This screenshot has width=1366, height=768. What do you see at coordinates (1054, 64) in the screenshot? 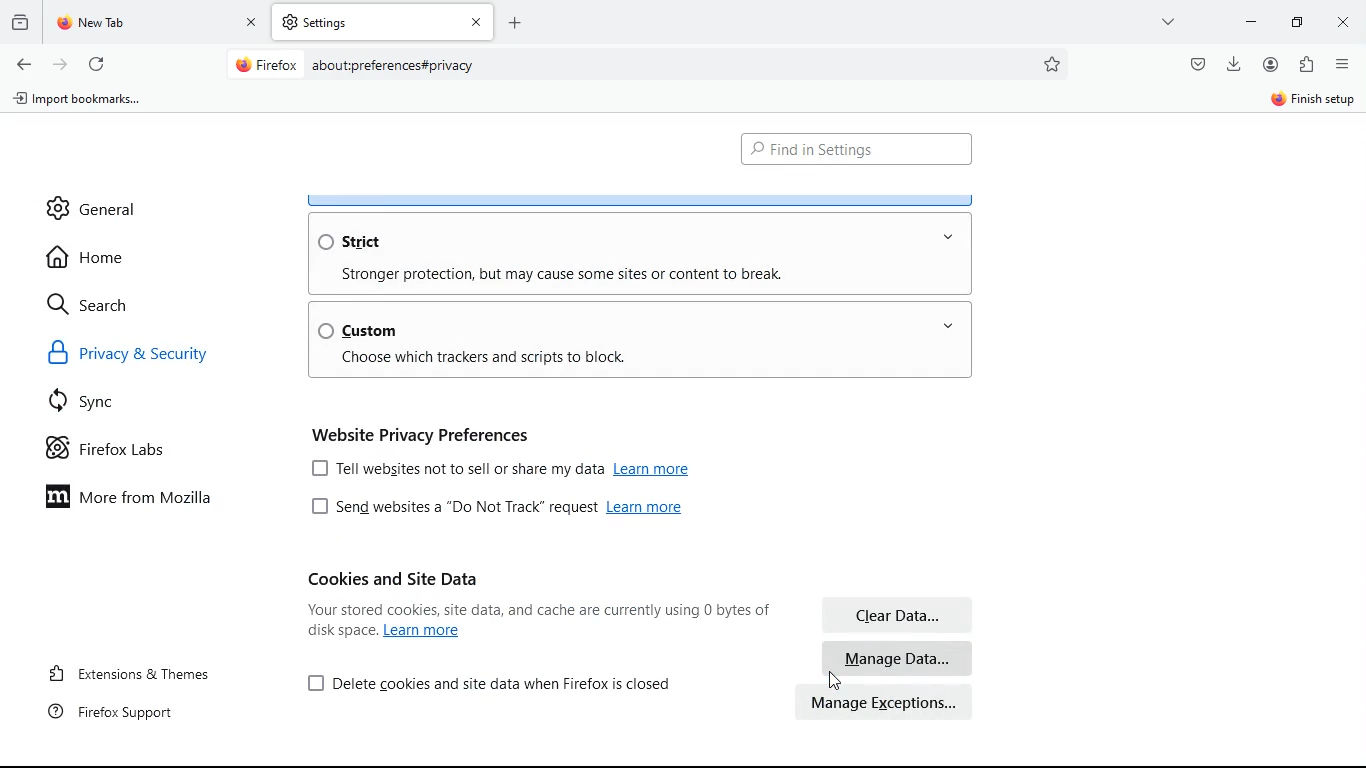
I see `preferences` at bounding box center [1054, 64].